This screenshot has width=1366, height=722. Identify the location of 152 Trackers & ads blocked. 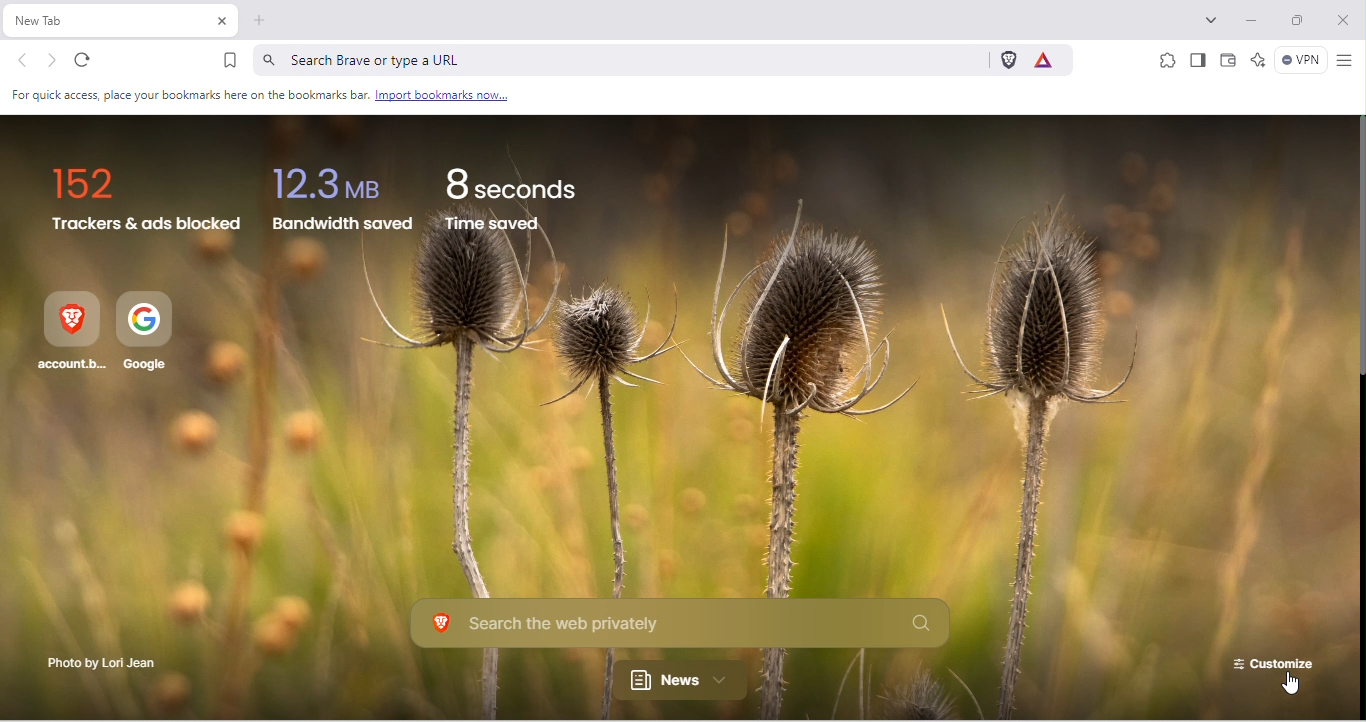
(147, 201).